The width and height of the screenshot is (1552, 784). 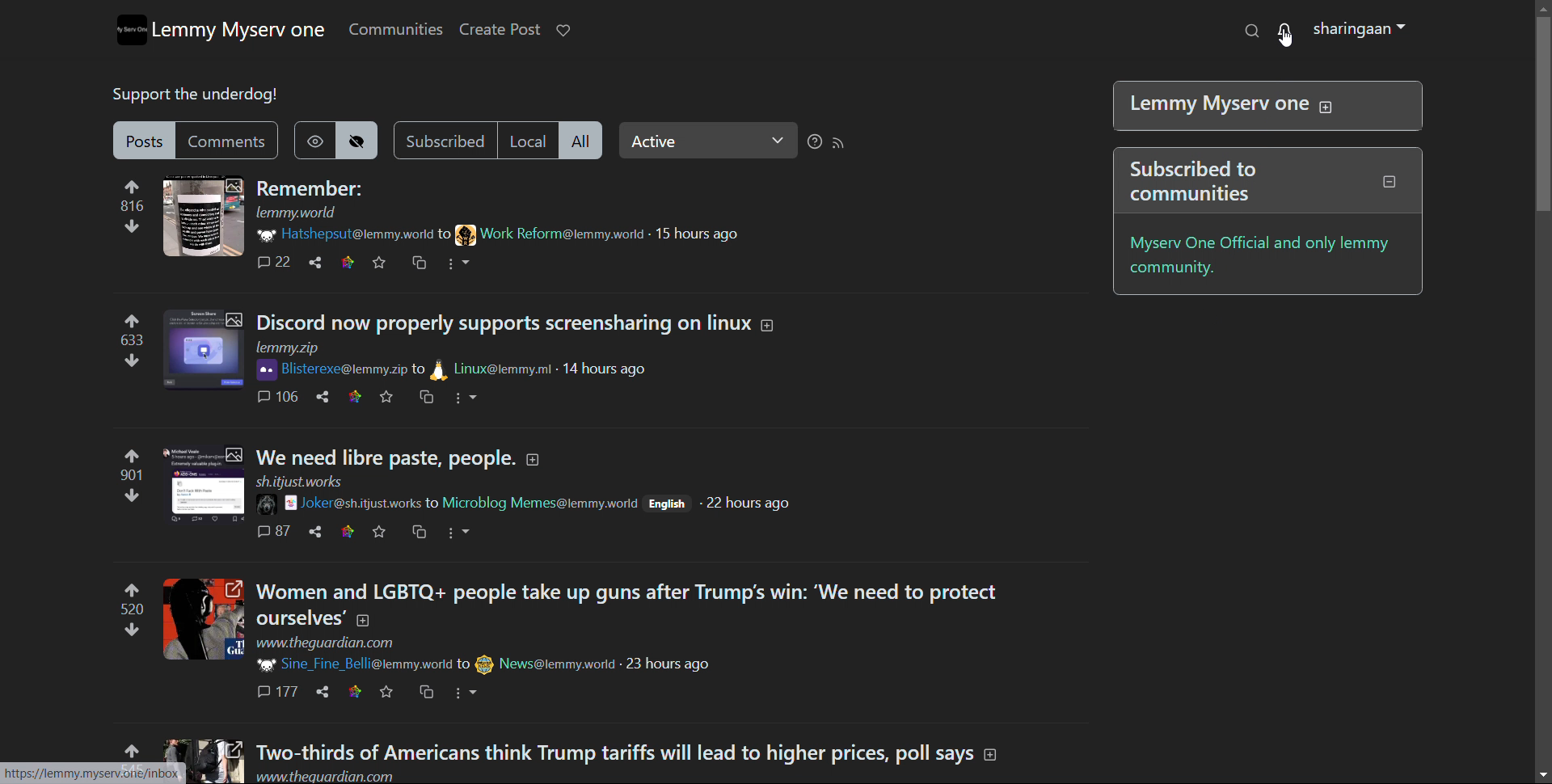 What do you see at coordinates (353, 665) in the screenshot?
I see `username` at bounding box center [353, 665].